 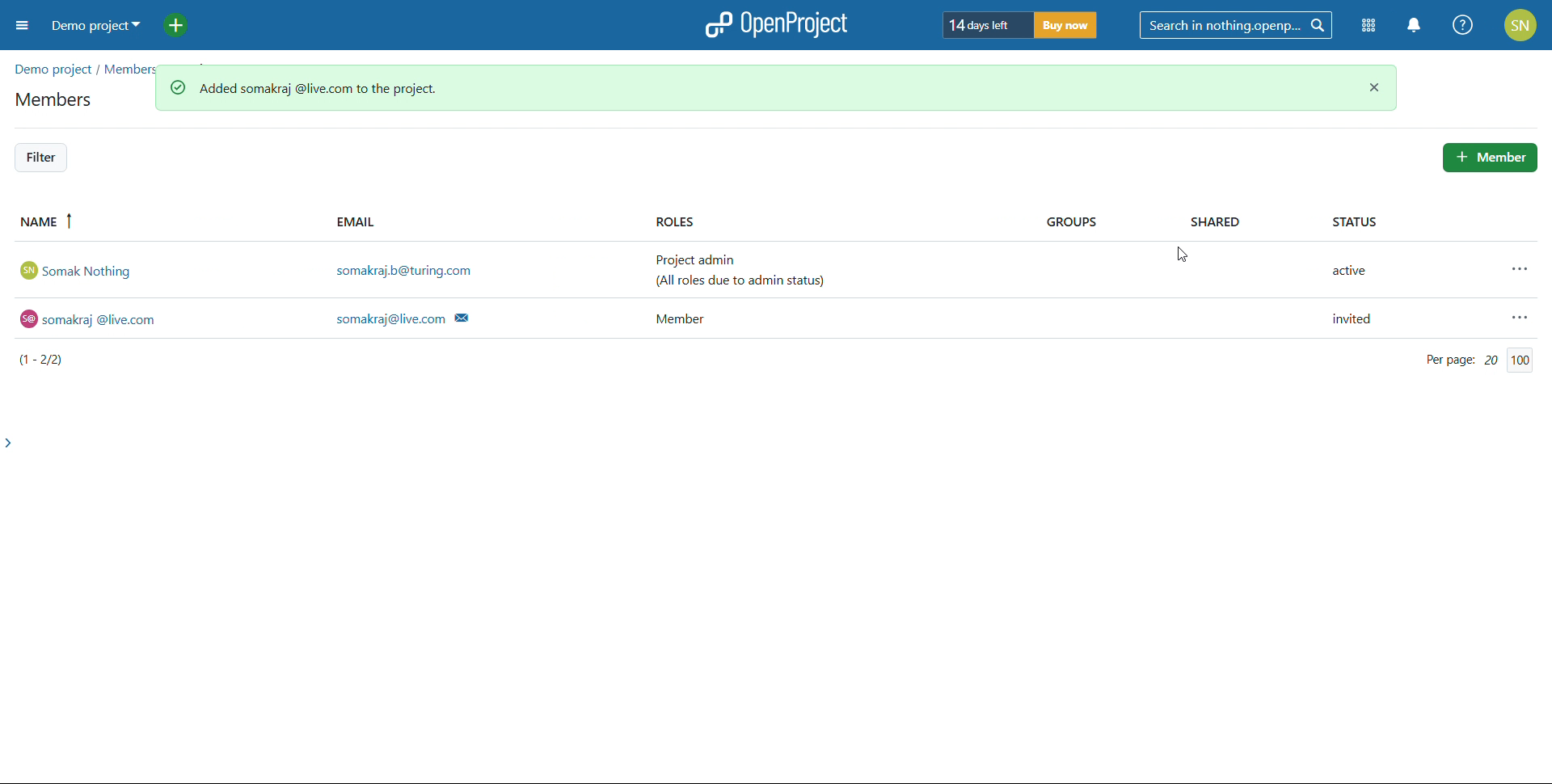 What do you see at coordinates (1063, 224) in the screenshot?
I see `GROUPS` at bounding box center [1063, 224].